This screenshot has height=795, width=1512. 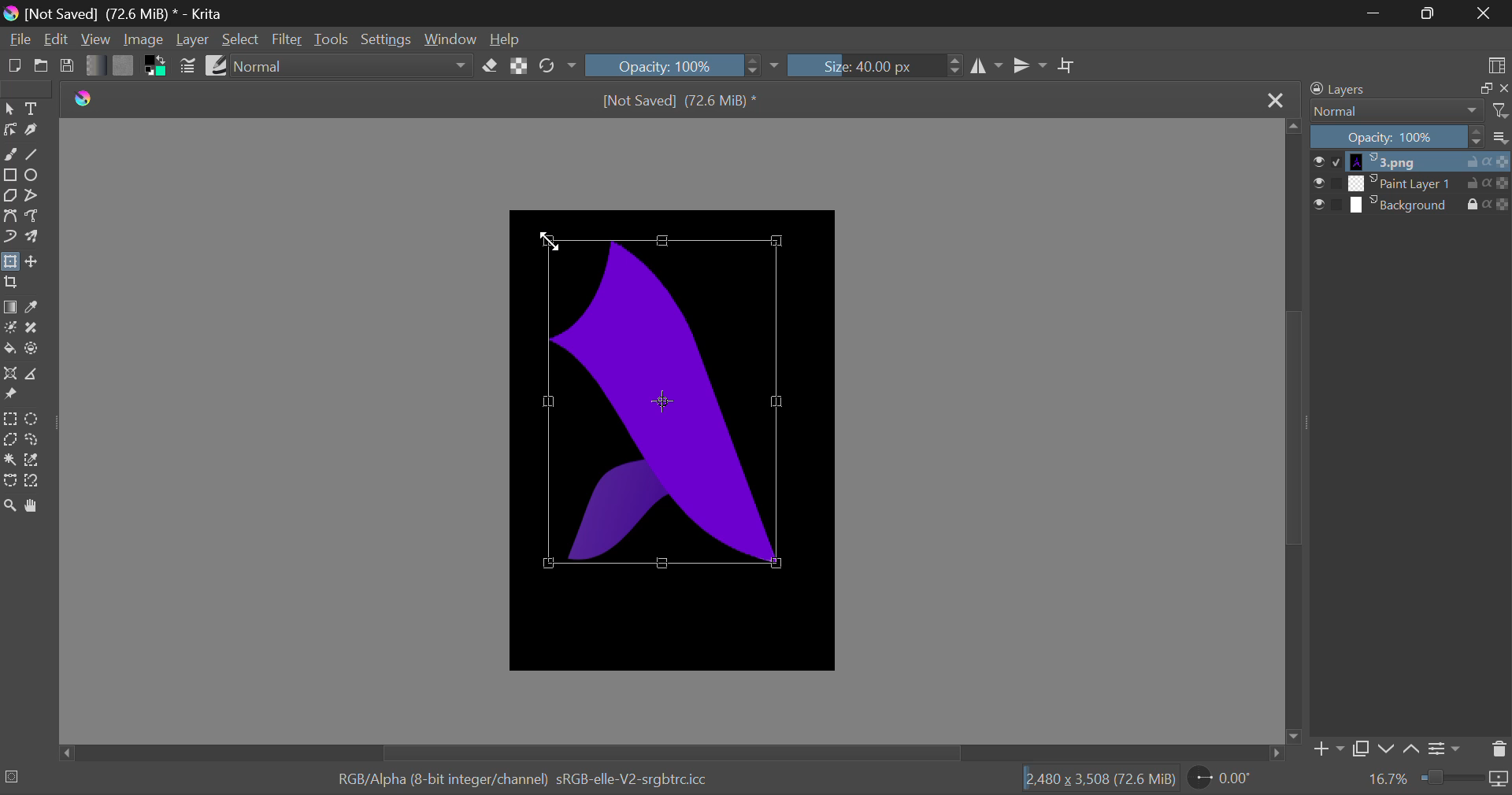 What do you see at coordinates (10, 480) in the screenshot?
I see `Bezier Curve Selection` at bounding box center [10, 480].